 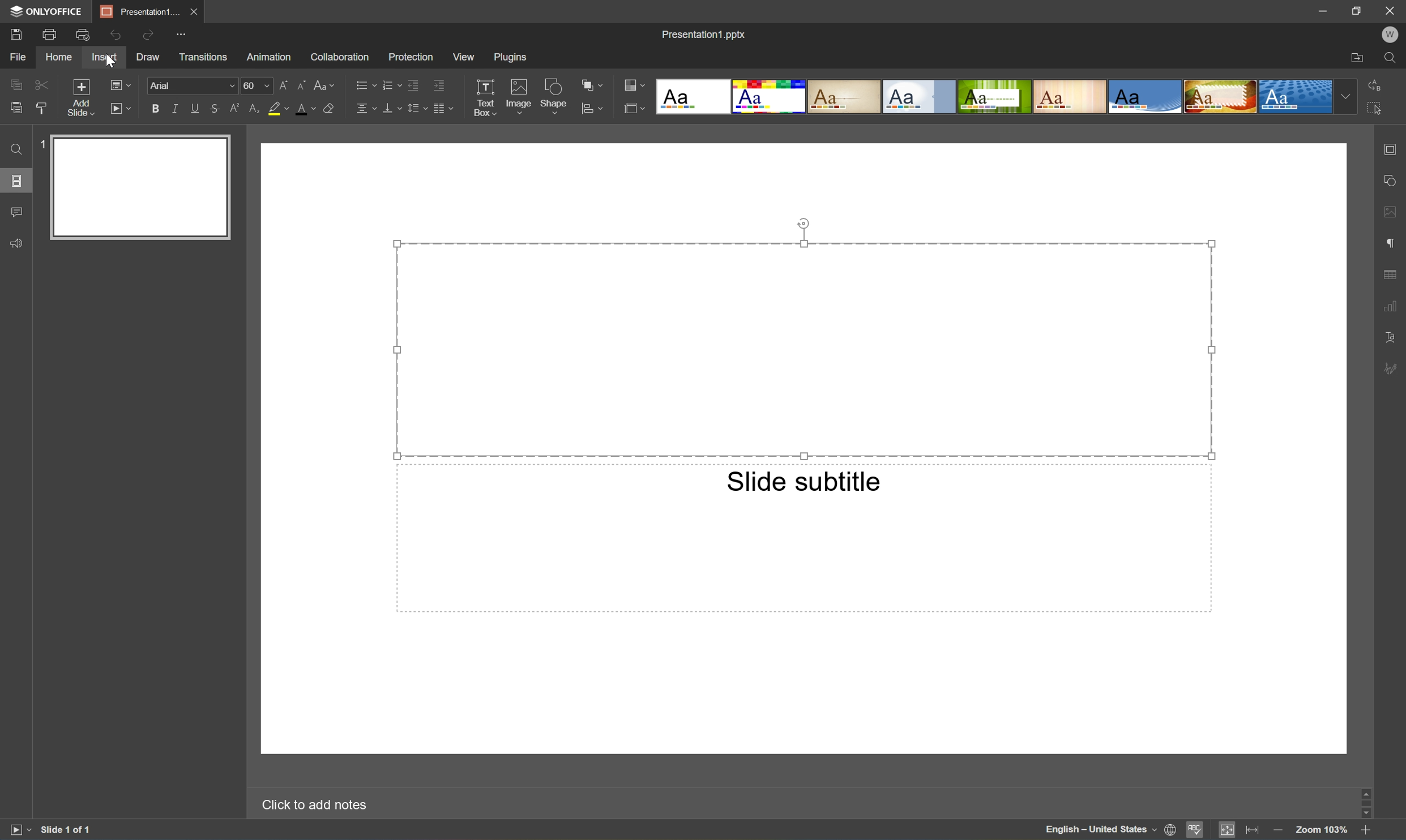 What do you see at coordinates (1375, 109) in the screenshot?
I see `Select all` at bounding box center [1375, 109].